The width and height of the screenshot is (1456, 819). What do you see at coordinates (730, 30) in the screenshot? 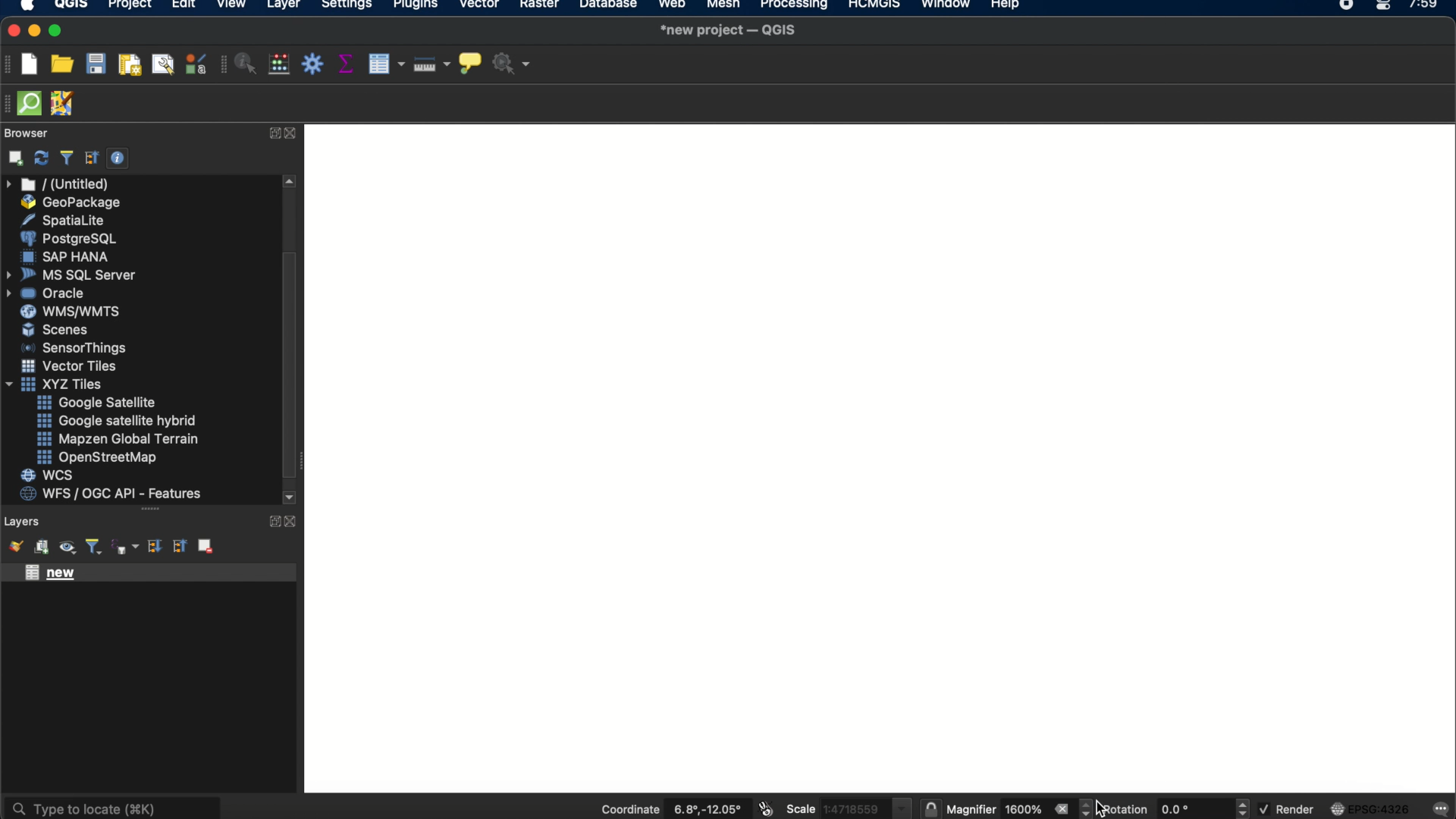
I see `New project - qgis` at bounding box center [730, 30].